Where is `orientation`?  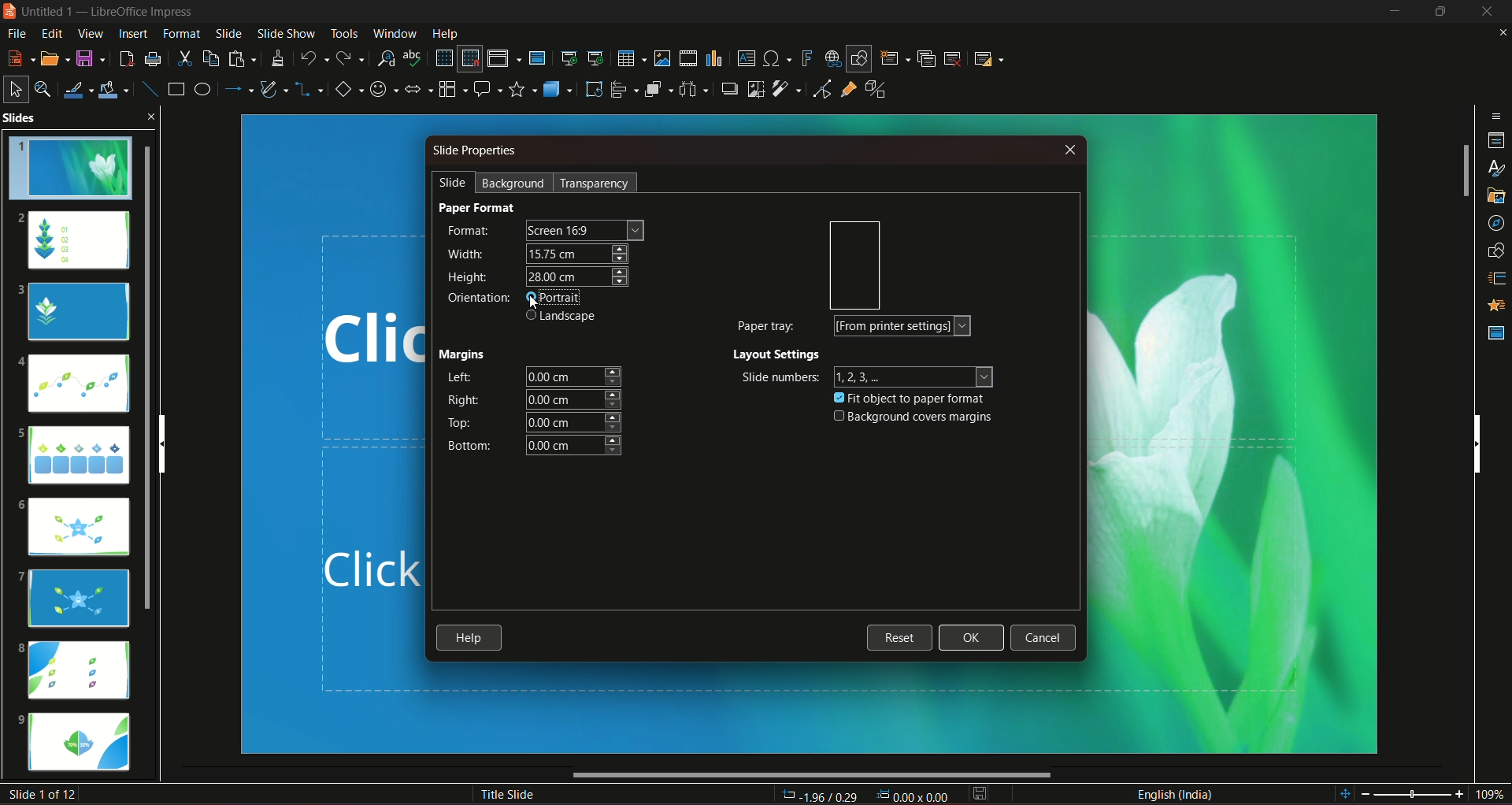 orientation is located at coordinates (477, 298).